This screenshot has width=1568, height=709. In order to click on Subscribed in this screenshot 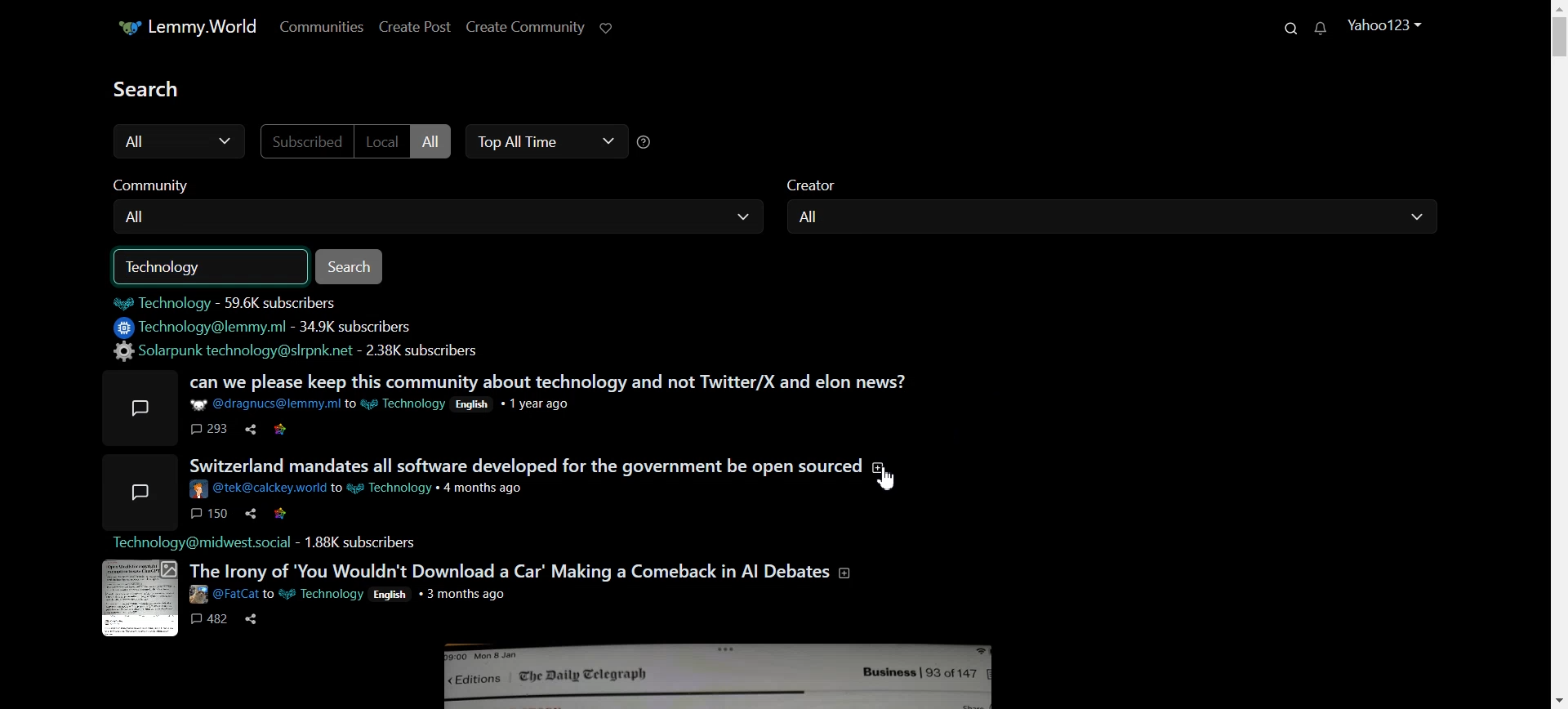, I will do `click(308, 141)`.